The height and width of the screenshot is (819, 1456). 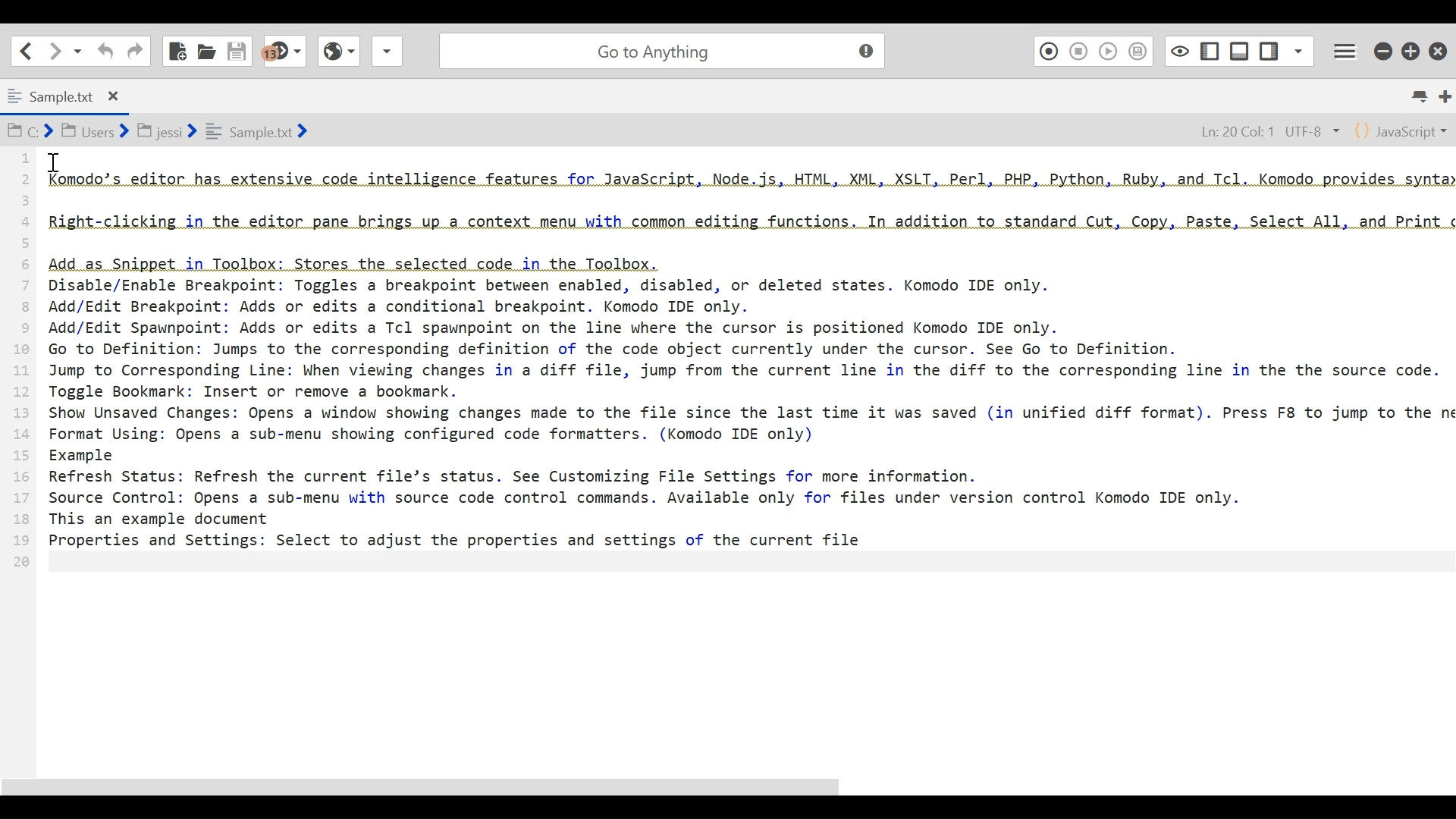 What do you see at coordinates (1382, 49) in the screenshot?
I see `minimize` at bounding box center [1382, 49].